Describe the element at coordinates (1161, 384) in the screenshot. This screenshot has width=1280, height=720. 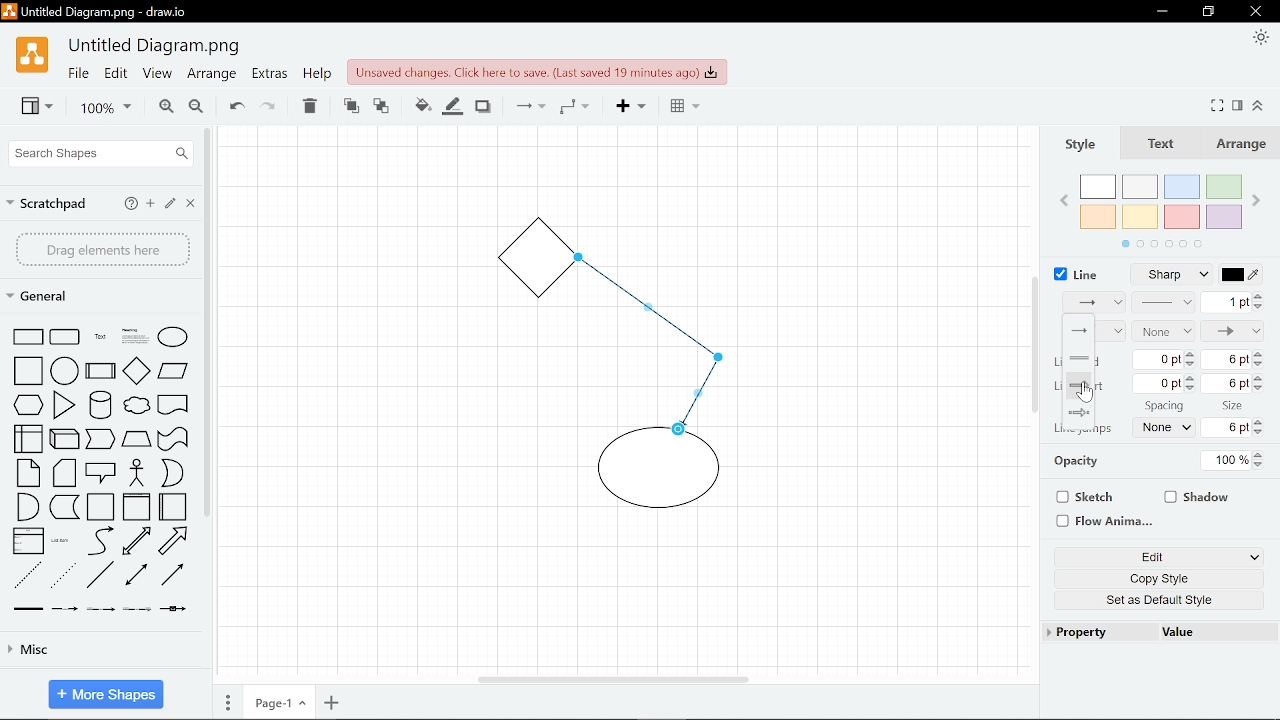
I see `Line start spacing` at that location.